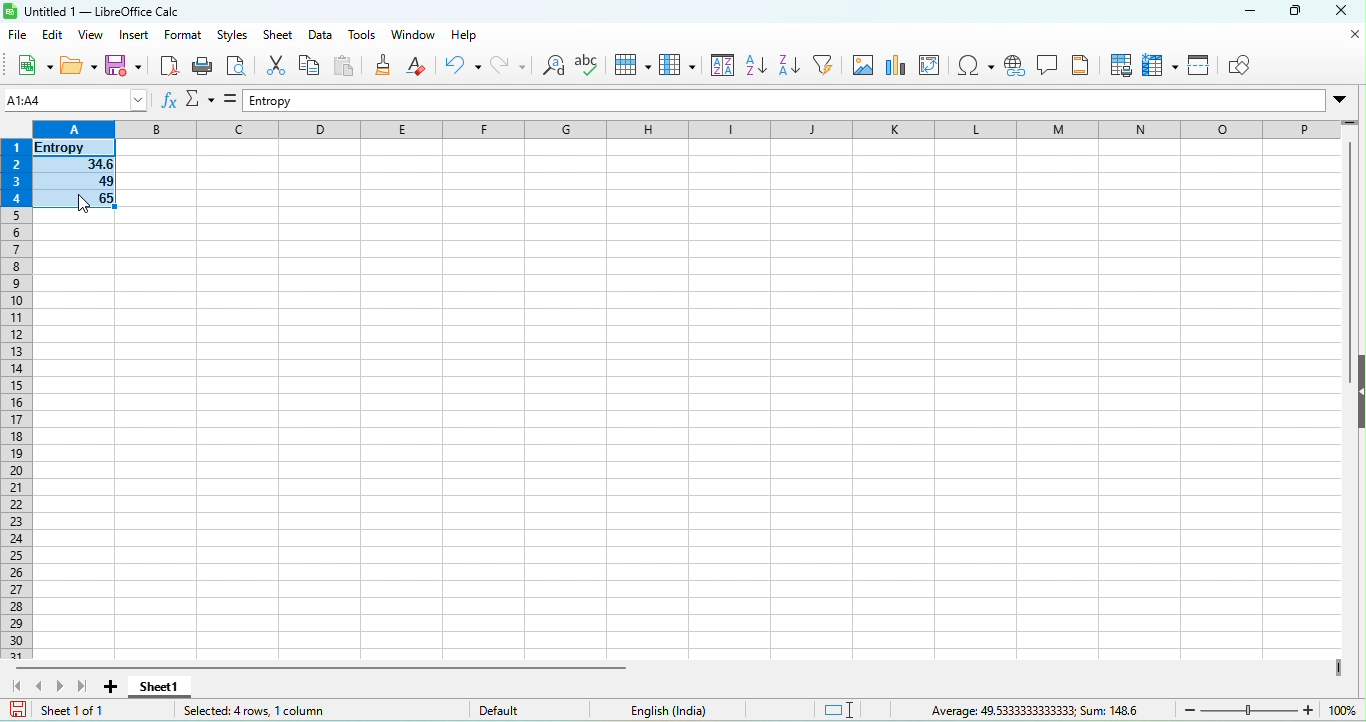 Image resolution: width=1366 pixels, height=722 pixels. Describe the element at coordinates (1086, 67) in the screenshot. I see `headers and footers` at that location.